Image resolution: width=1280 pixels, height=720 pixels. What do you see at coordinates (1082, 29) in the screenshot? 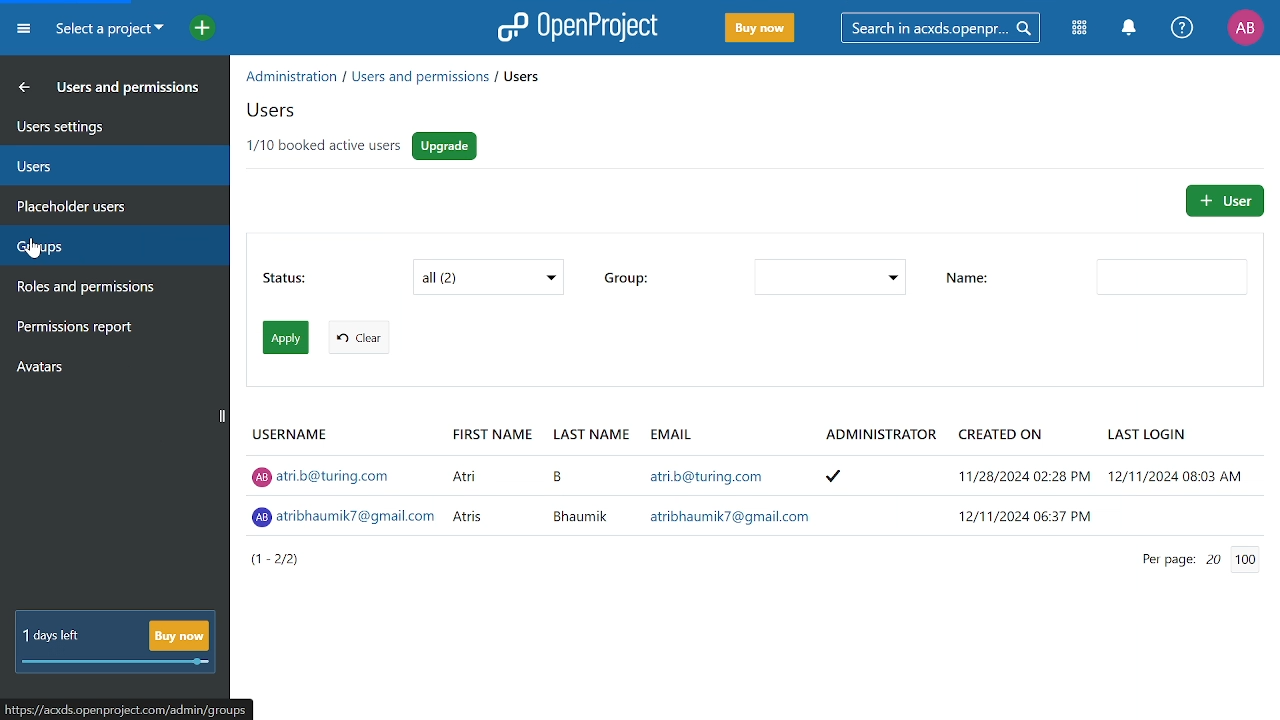
I see `Modules` at bounding box center [1082, 29].